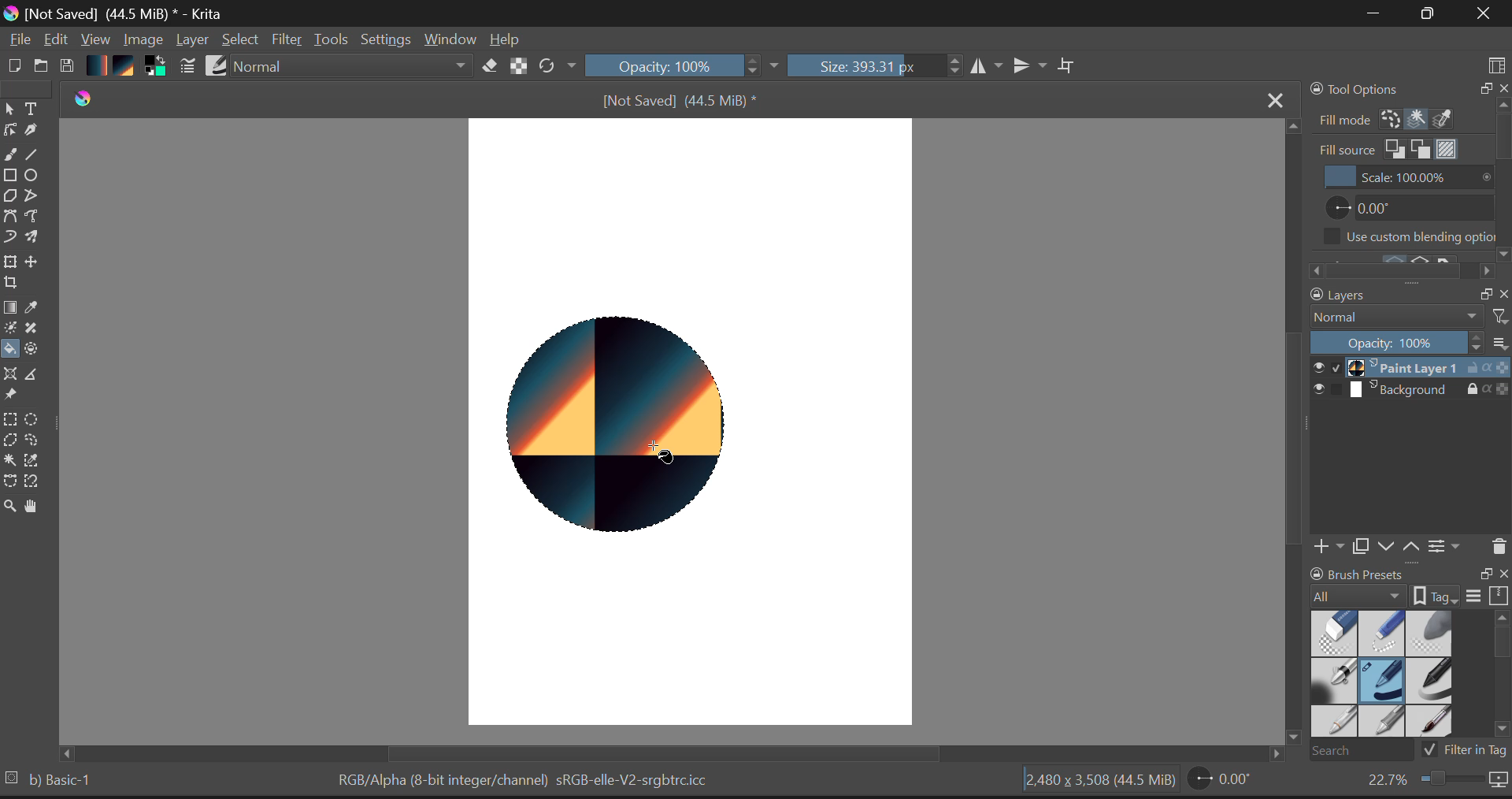 The height and width of the screenshot is (799, 1512). Describe the element at coordinates (10, 309) in the screenshot. I see `Gradient Fill` at that location.